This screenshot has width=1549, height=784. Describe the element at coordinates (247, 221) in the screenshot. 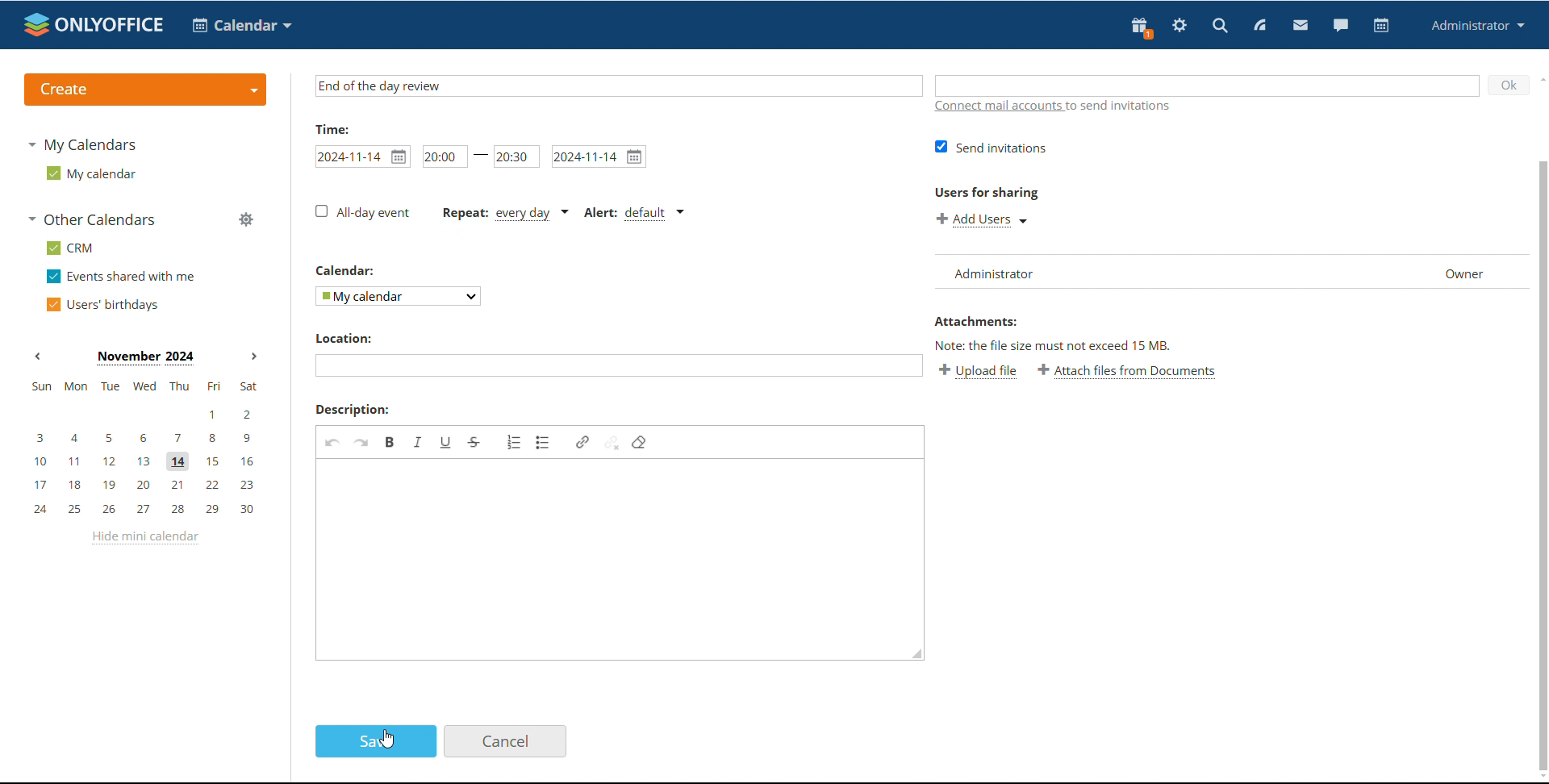

I see `manage` at that location.